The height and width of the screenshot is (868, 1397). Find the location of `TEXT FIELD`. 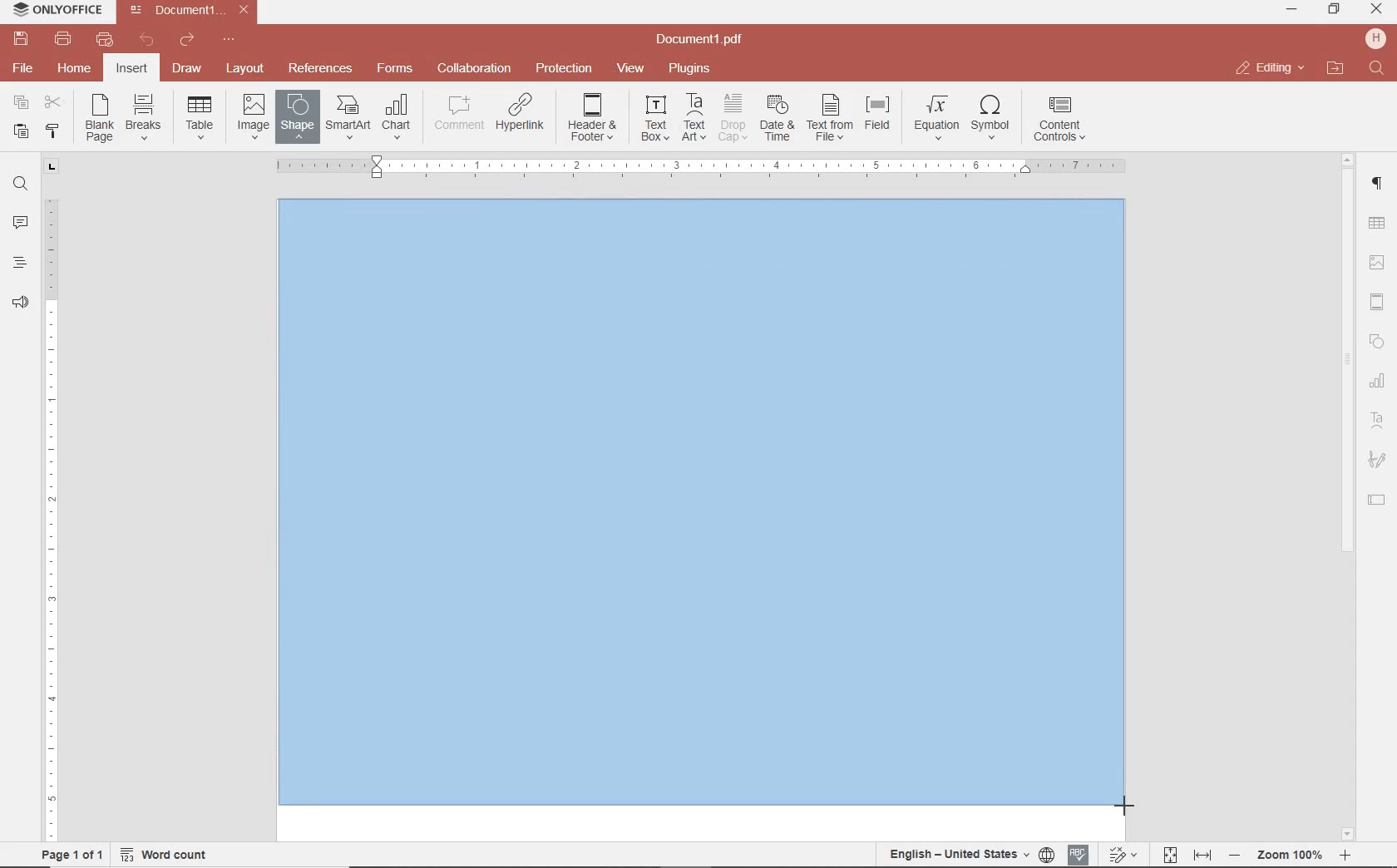

TEXT FIELD is located at coordinates (1377, 499).